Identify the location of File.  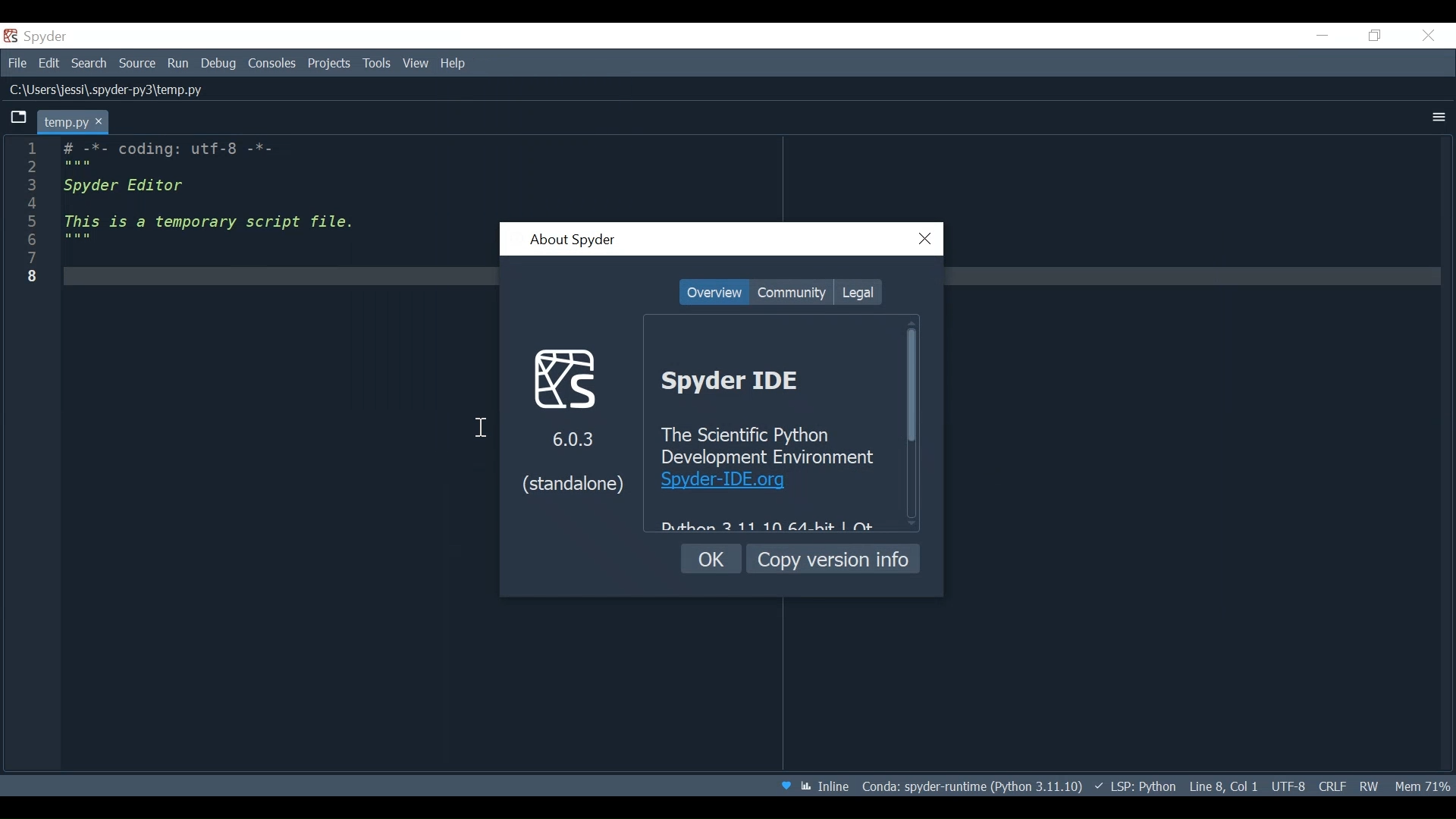
(17, 64).